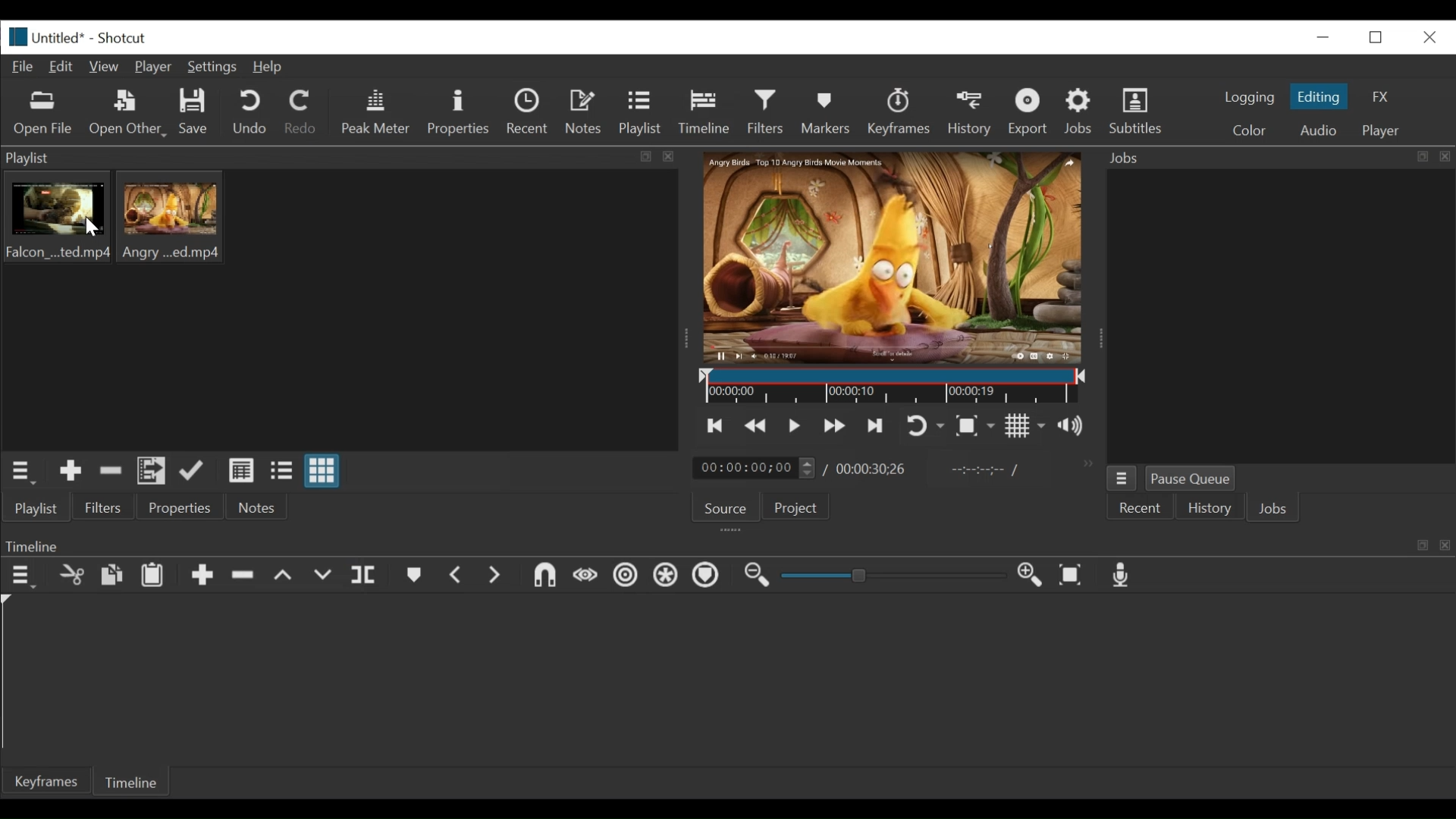 This screenshot has width=1456, height=819. Describe the element at coordinates (334, 158) in the screenshot. I see `playlist panel` at that location.